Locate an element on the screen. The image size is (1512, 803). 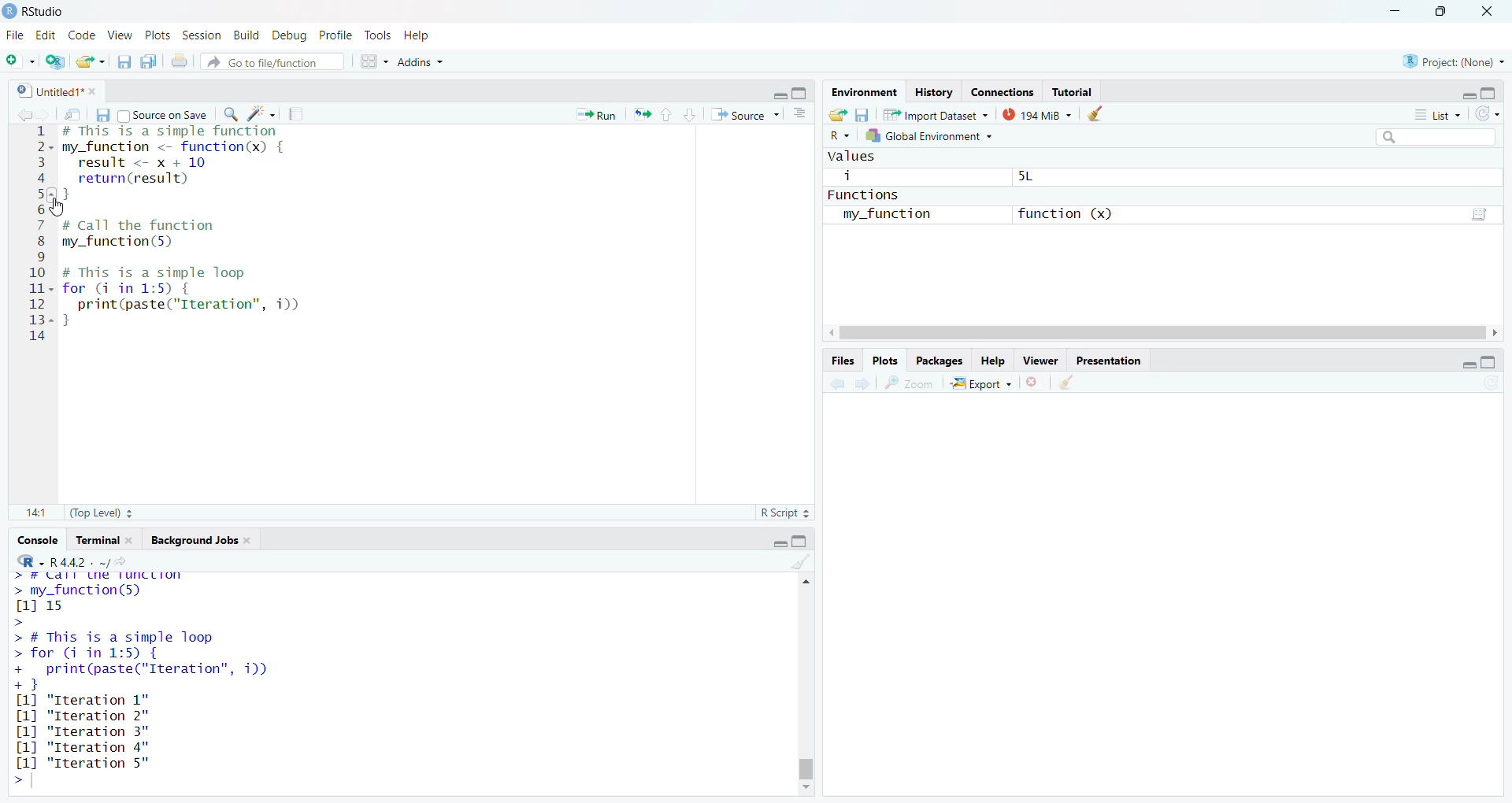
move down is located at coordinates (805, 790).